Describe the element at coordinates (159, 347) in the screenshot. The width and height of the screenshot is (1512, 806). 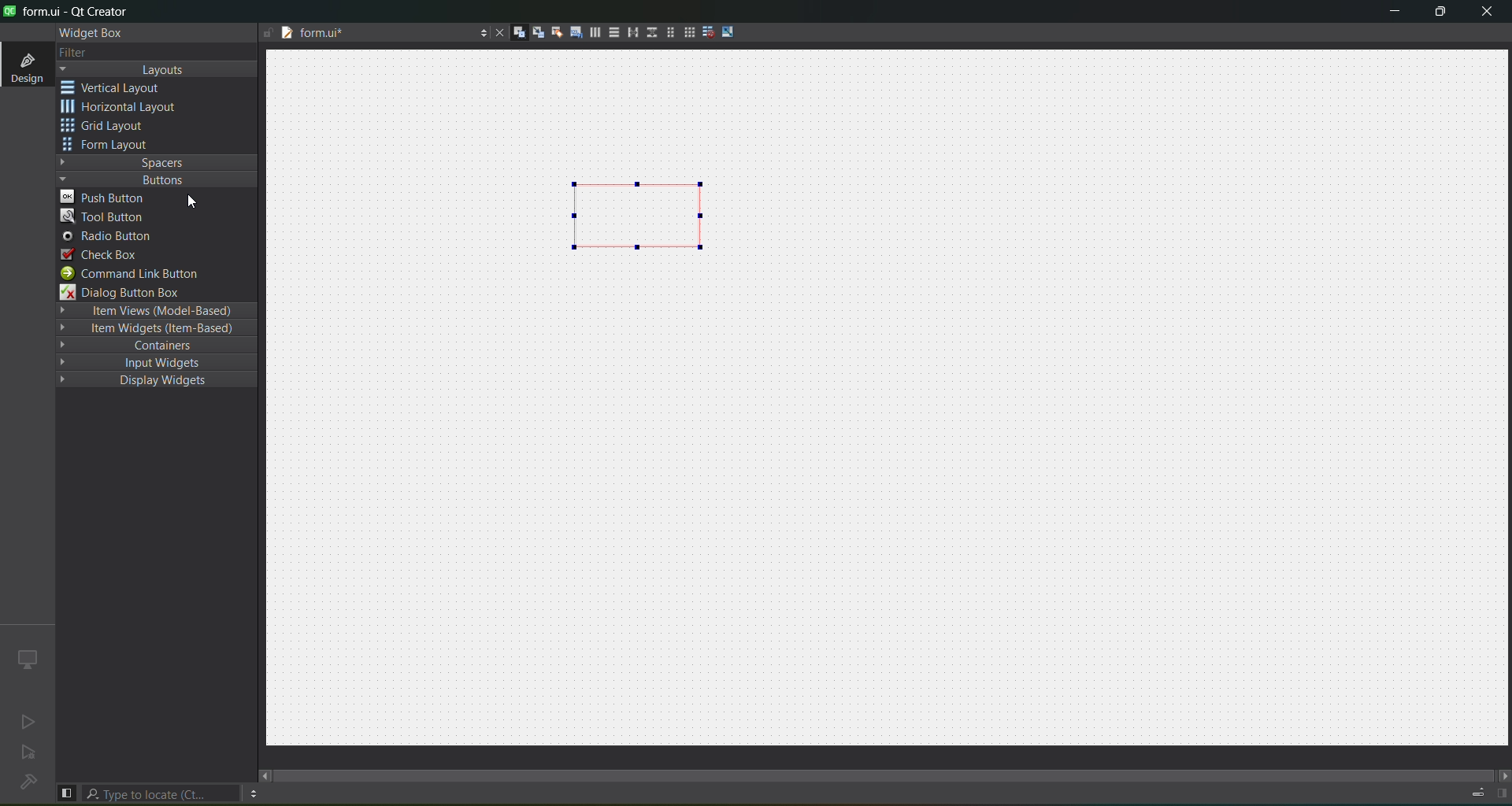
I see `containers` at that location.